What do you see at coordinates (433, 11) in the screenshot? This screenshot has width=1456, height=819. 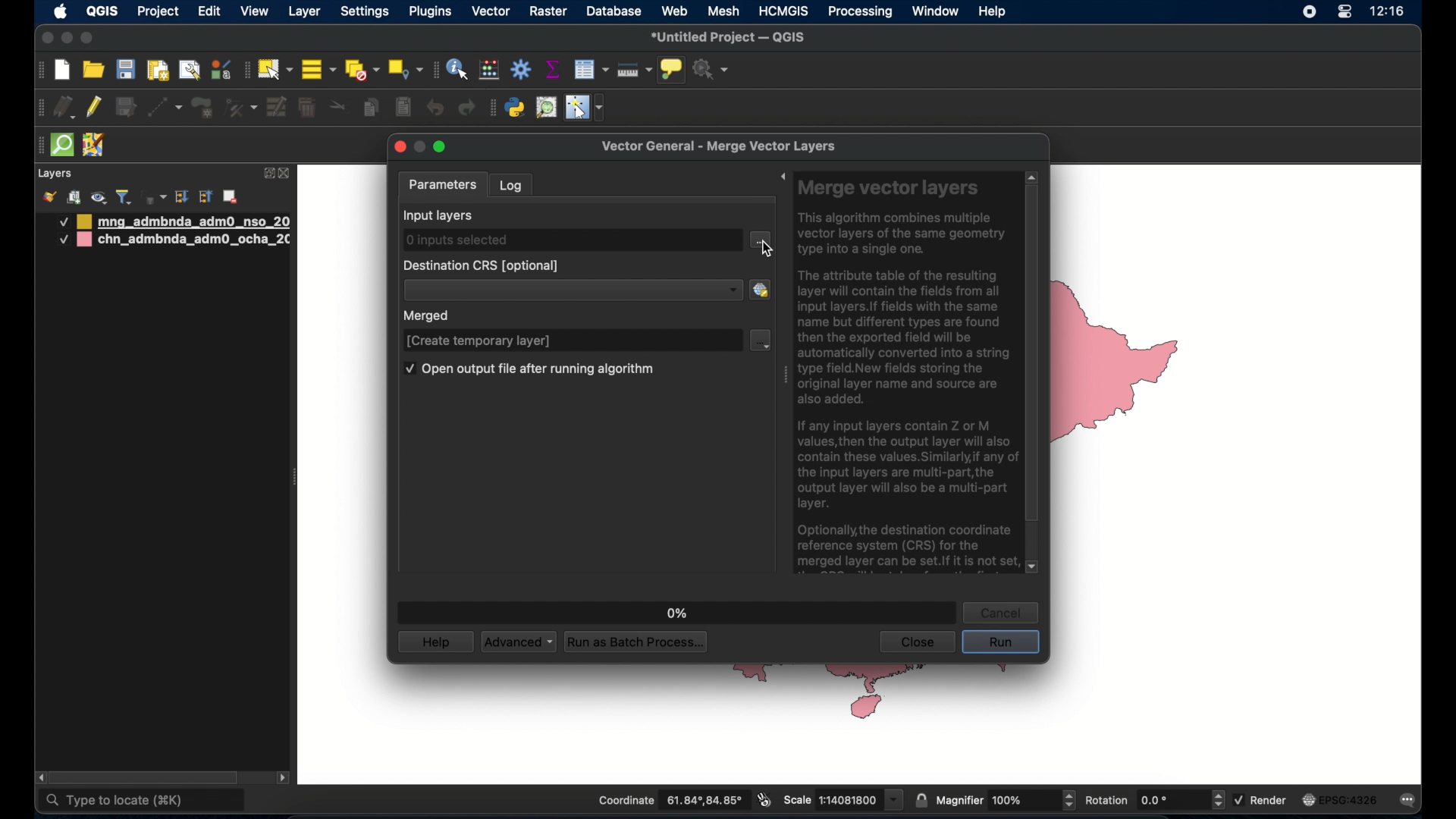 I see `plugins` at bounding box center [433, 11].